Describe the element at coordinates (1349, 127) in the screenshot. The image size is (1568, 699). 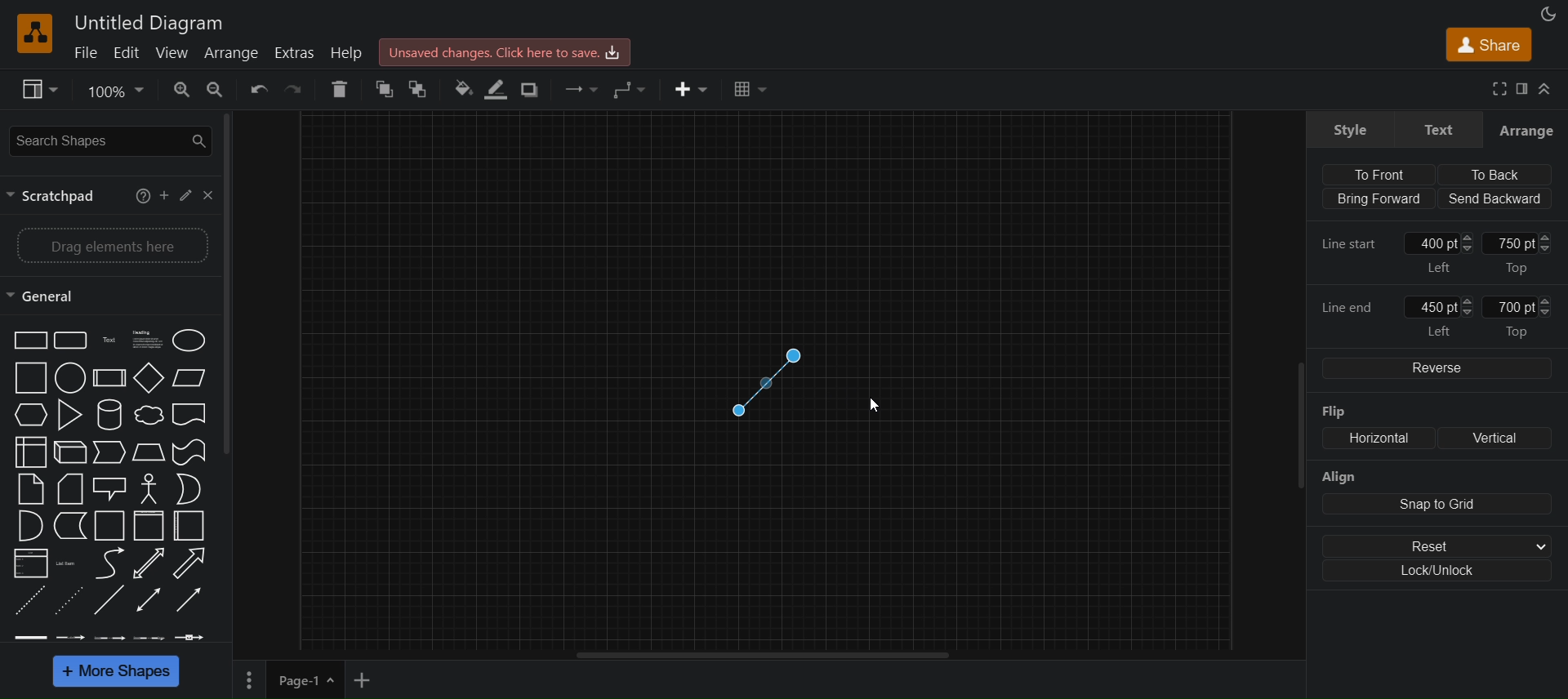
I see `style` at that location.